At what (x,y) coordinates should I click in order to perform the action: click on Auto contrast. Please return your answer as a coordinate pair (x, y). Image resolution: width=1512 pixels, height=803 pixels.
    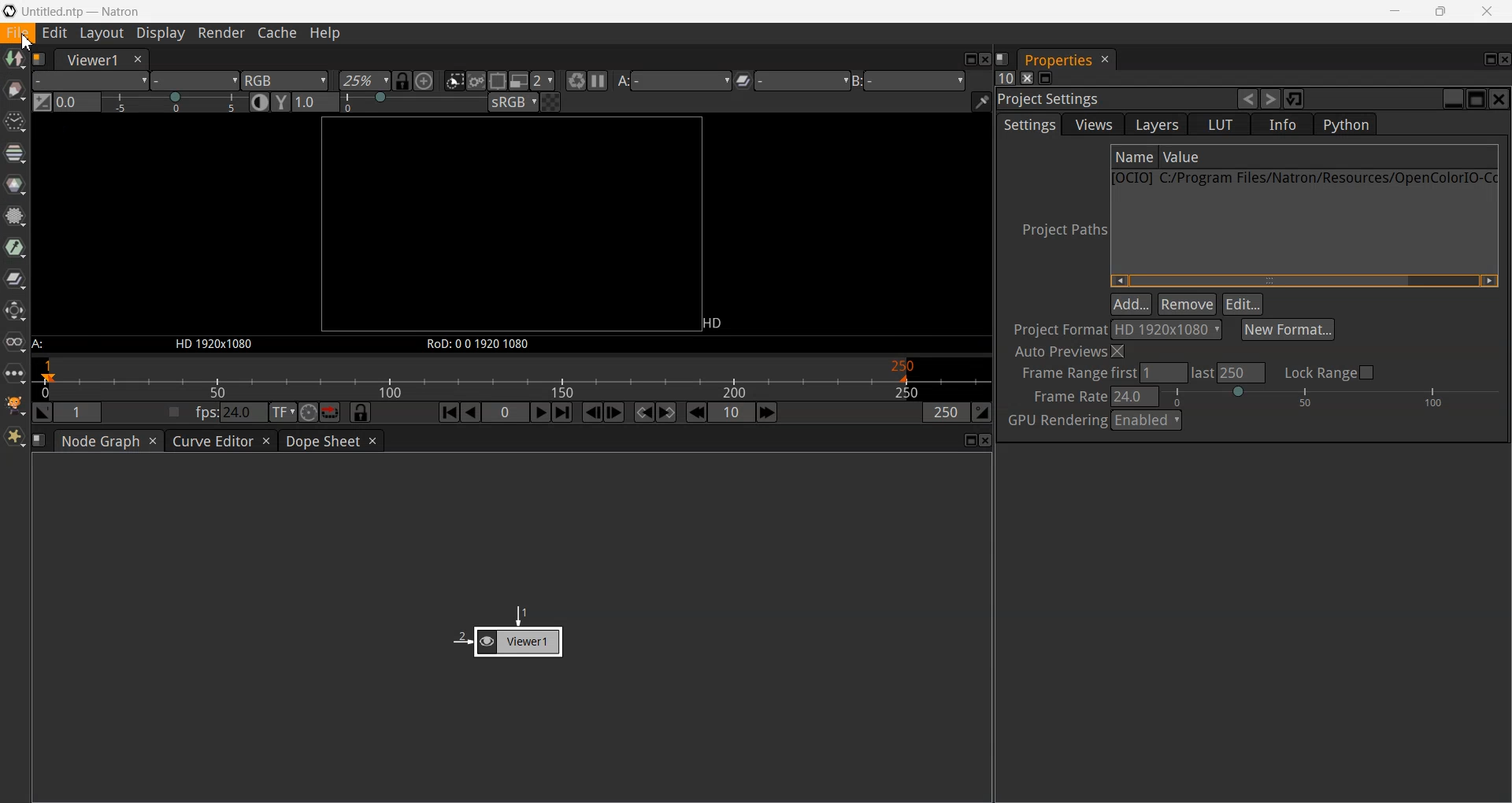
    Looking at the image, I should click on (261, 102).